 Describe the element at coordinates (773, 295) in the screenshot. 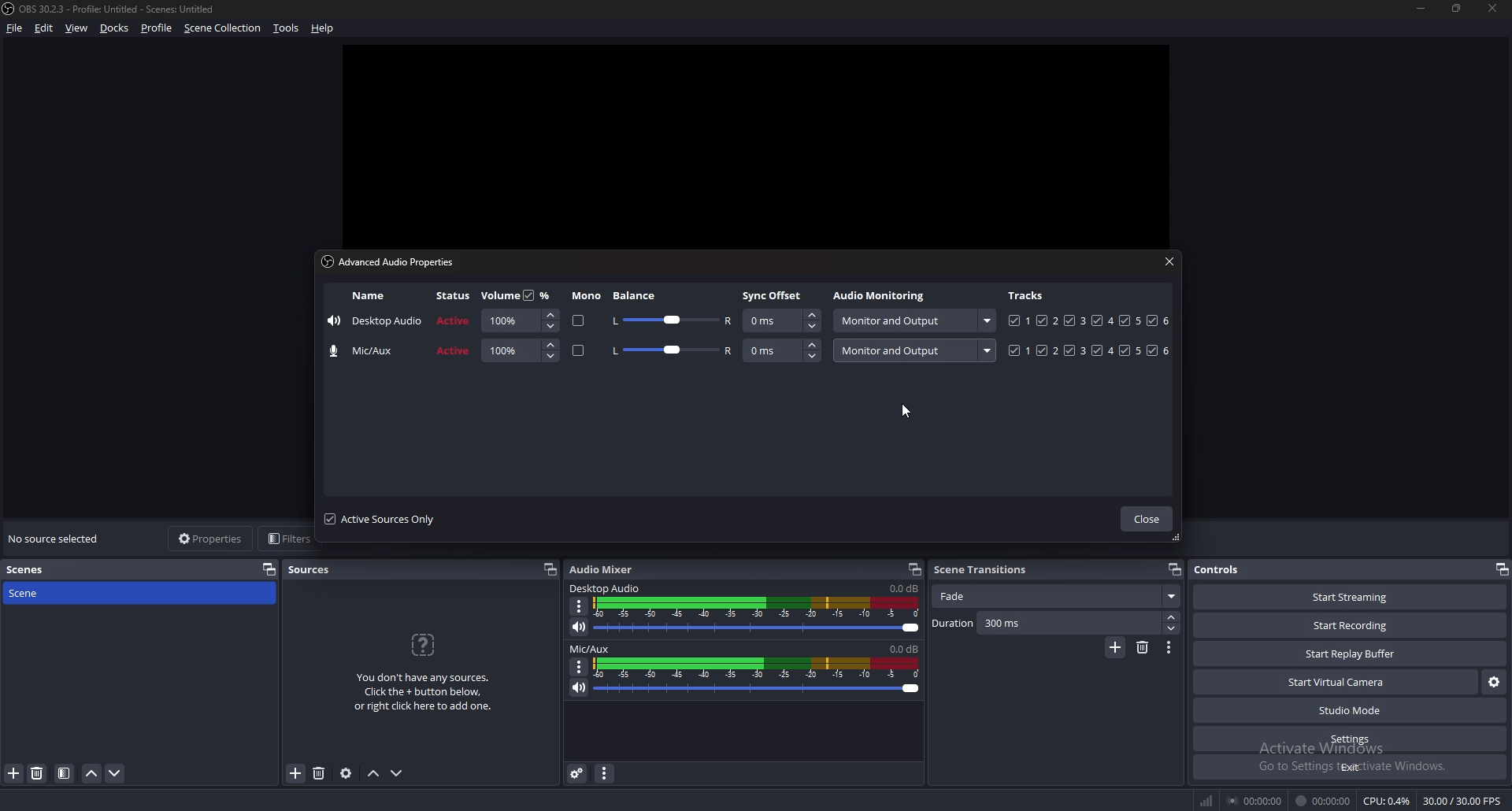

I see `sync offset` at that location.